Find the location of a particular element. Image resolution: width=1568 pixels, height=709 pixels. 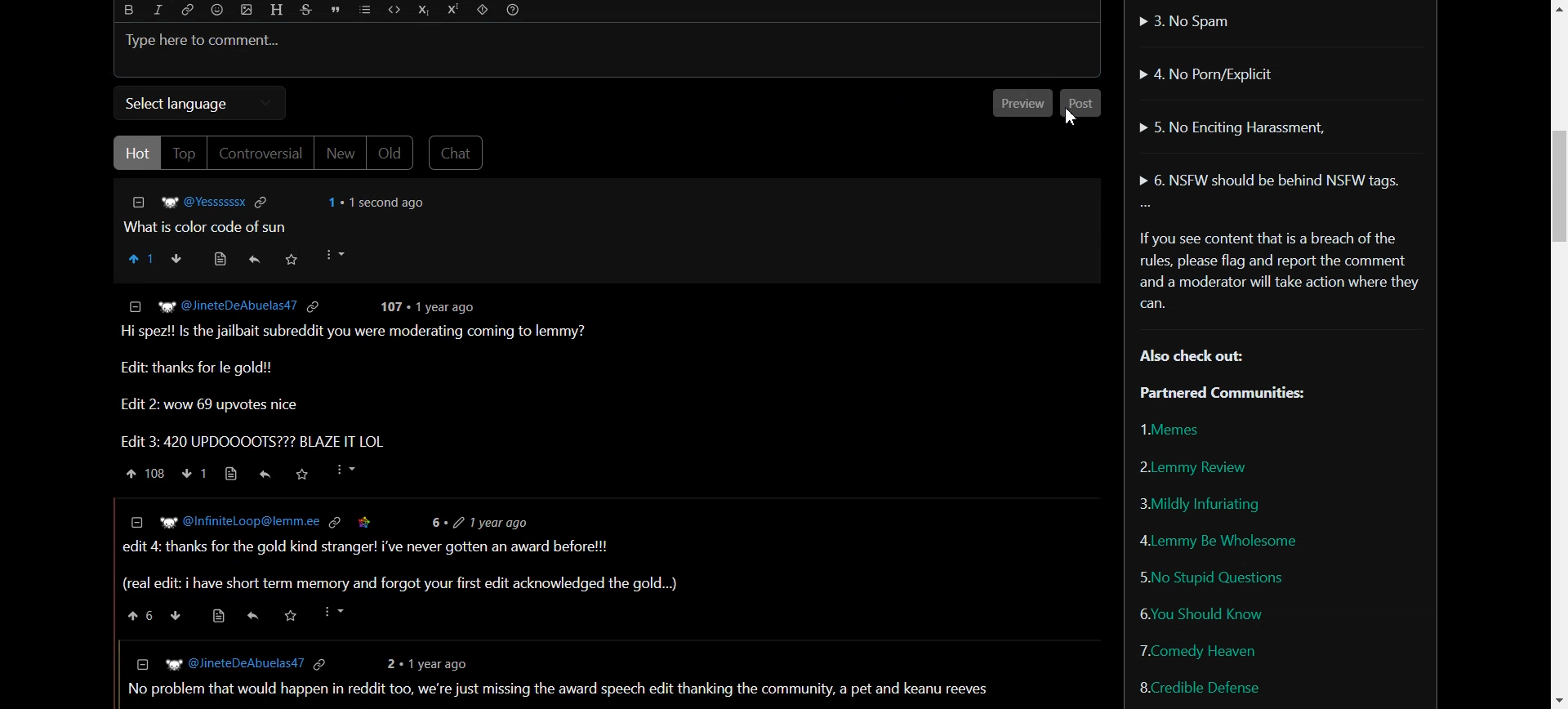

Spoiler is located at coordinates (483, 10).